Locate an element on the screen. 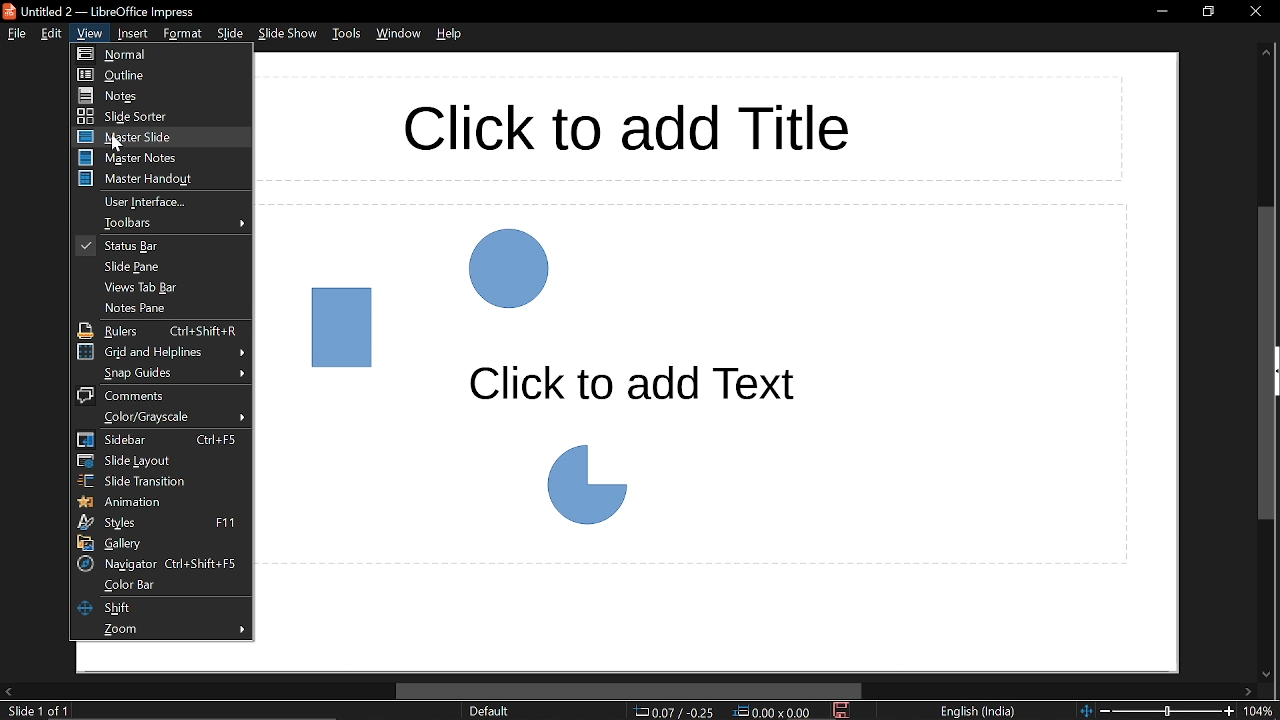  Toolbars is located at coordinates (161, 224).